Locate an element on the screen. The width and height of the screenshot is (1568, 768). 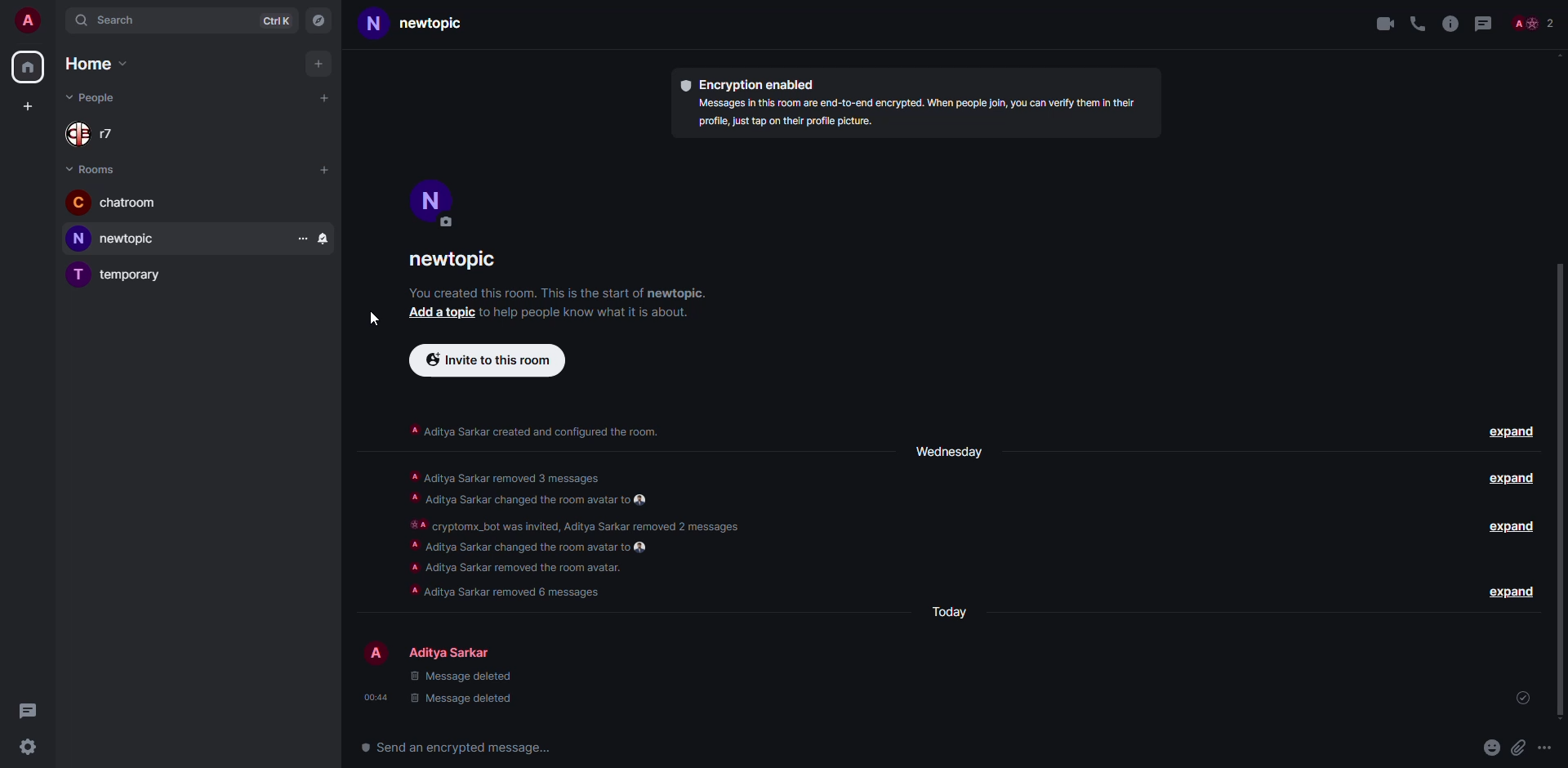
add is located at coordinates (442, 312).